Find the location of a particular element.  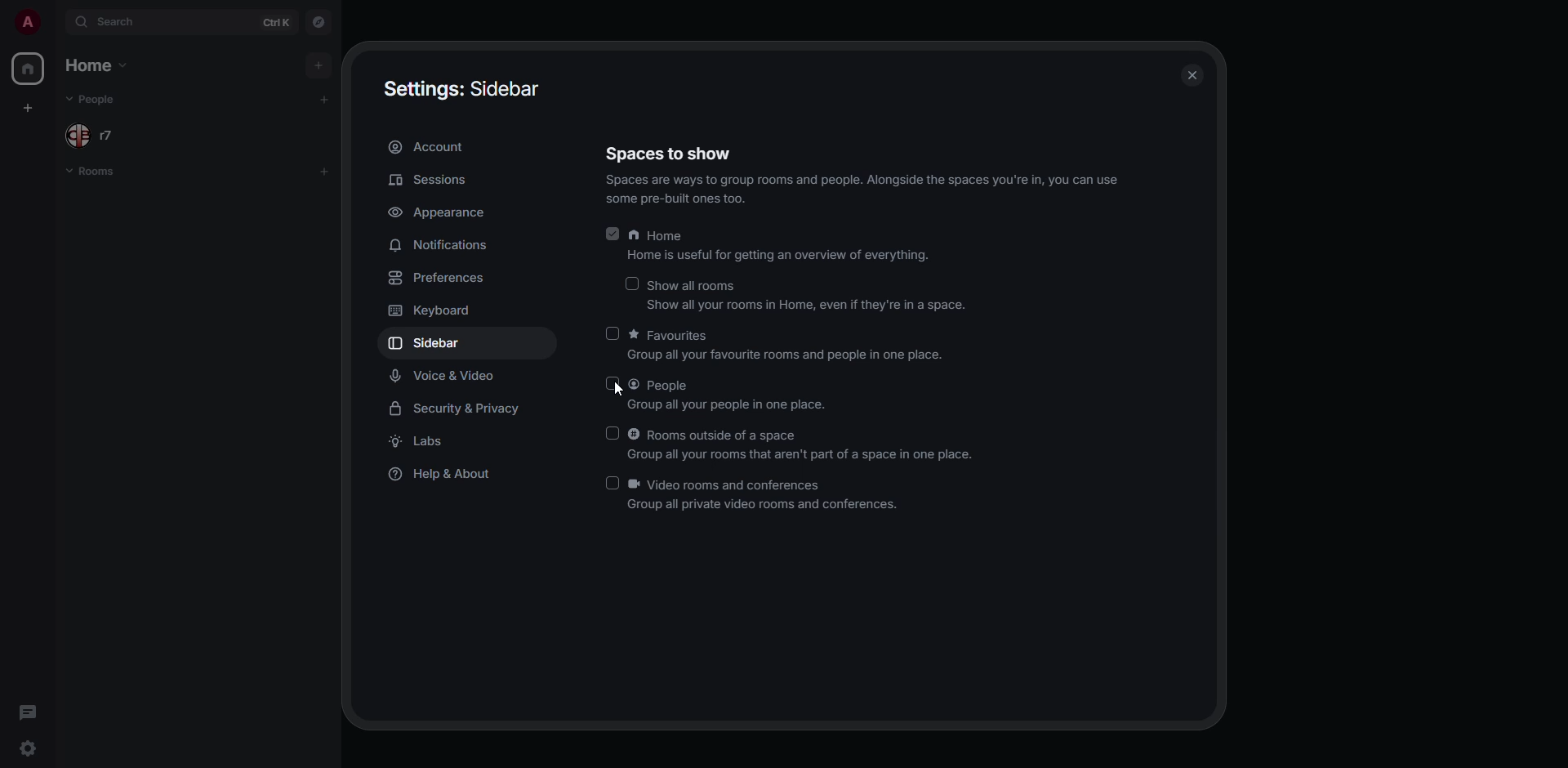

threads is located at coordinates (23, 712).